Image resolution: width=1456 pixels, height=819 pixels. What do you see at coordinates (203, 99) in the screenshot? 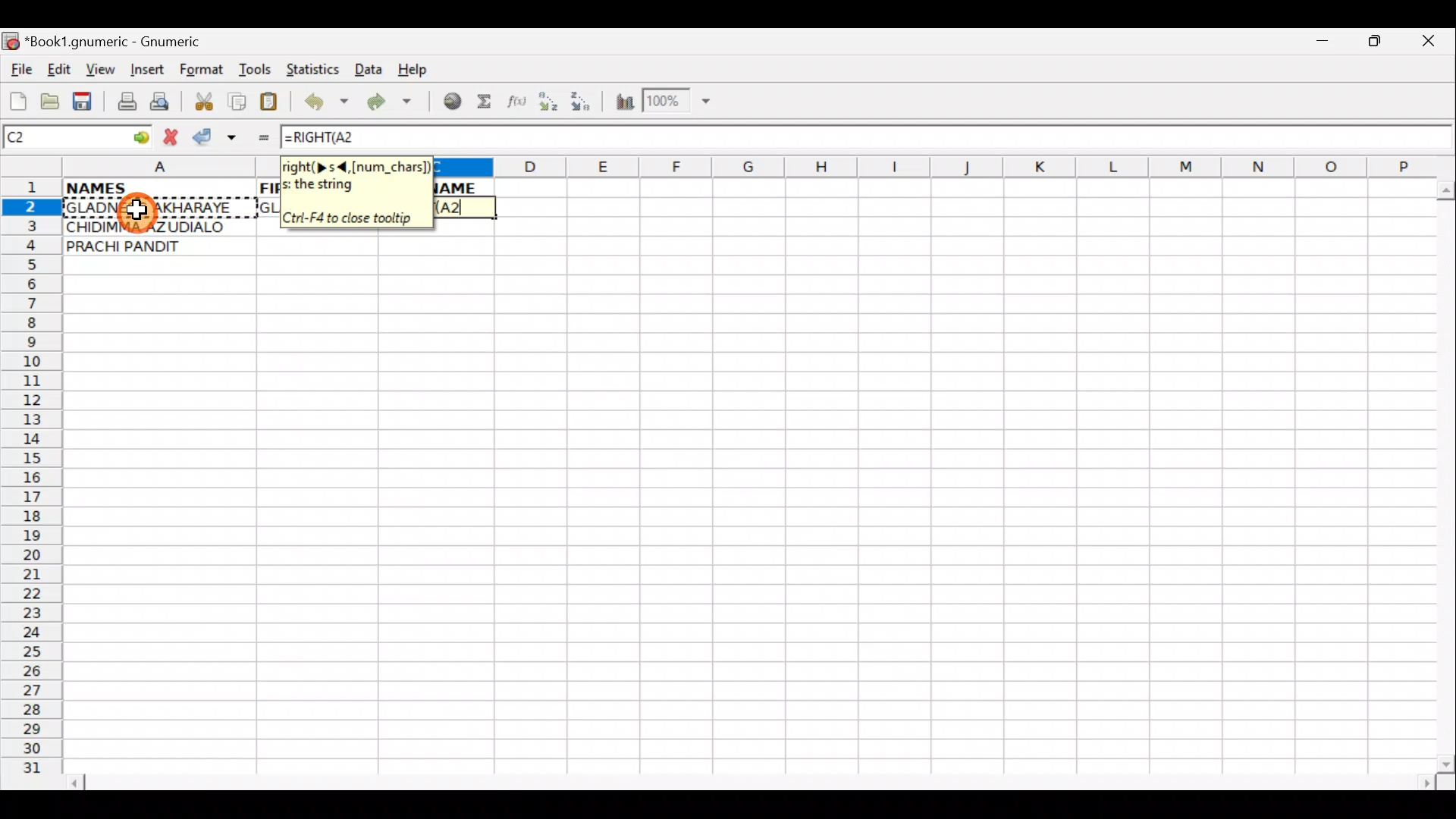
I see `Cut selection` at bounding box center [203, 99].